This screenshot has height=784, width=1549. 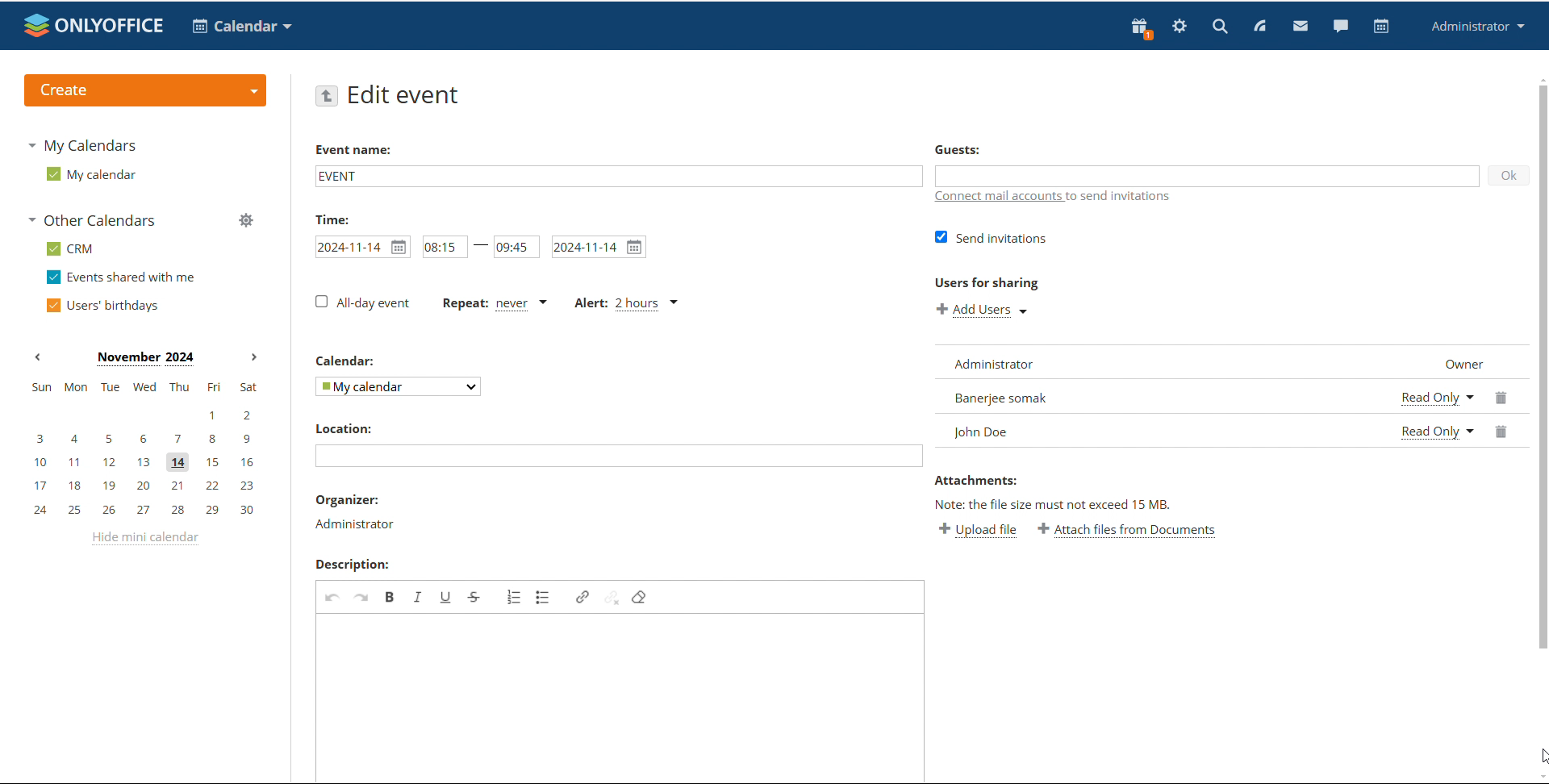 I want to click on time, so click(x=329, y=219).